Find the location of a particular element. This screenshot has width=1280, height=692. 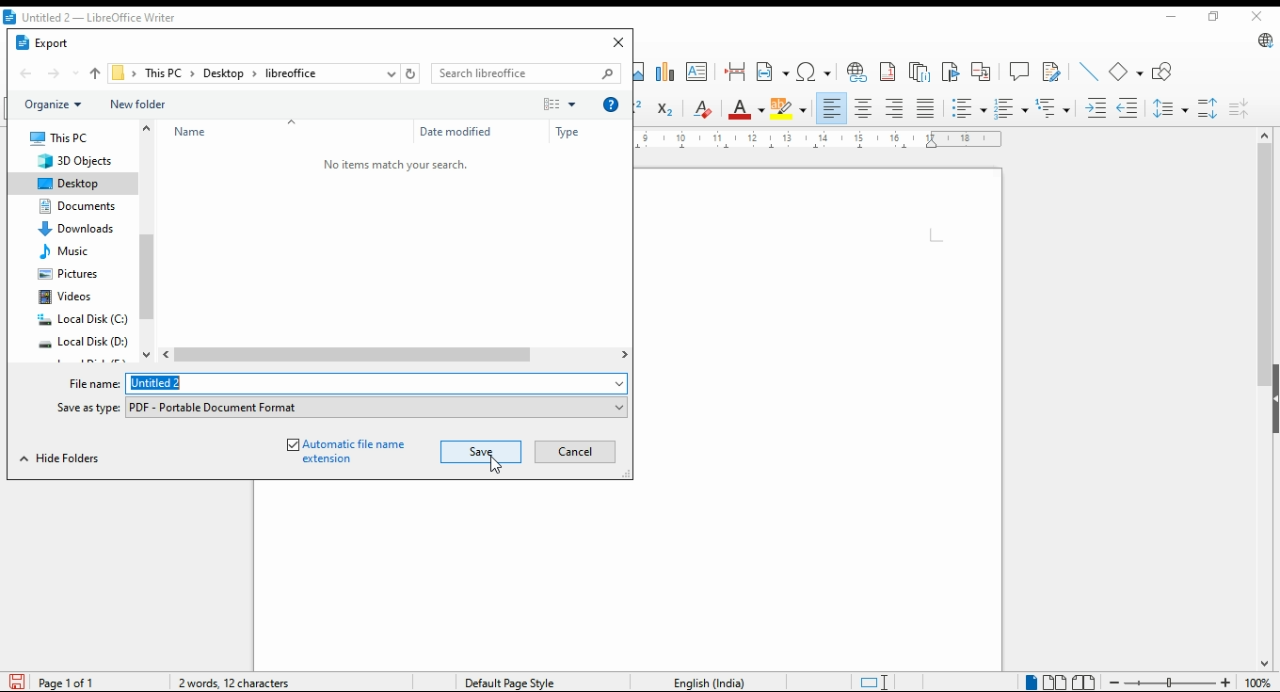

language is located at coordinates (706, 680).